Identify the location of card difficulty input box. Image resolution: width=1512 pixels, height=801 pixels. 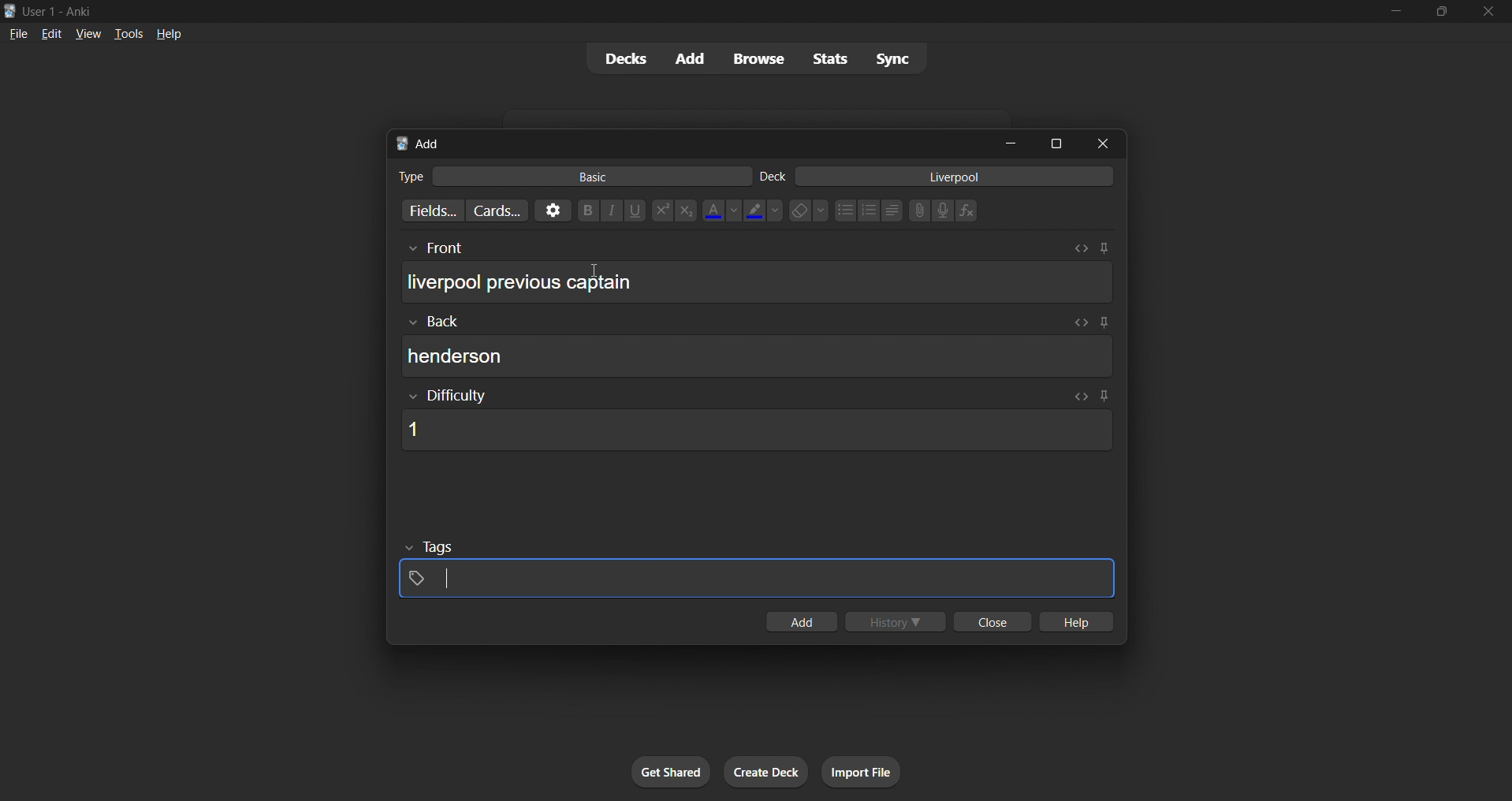
(753, 420).